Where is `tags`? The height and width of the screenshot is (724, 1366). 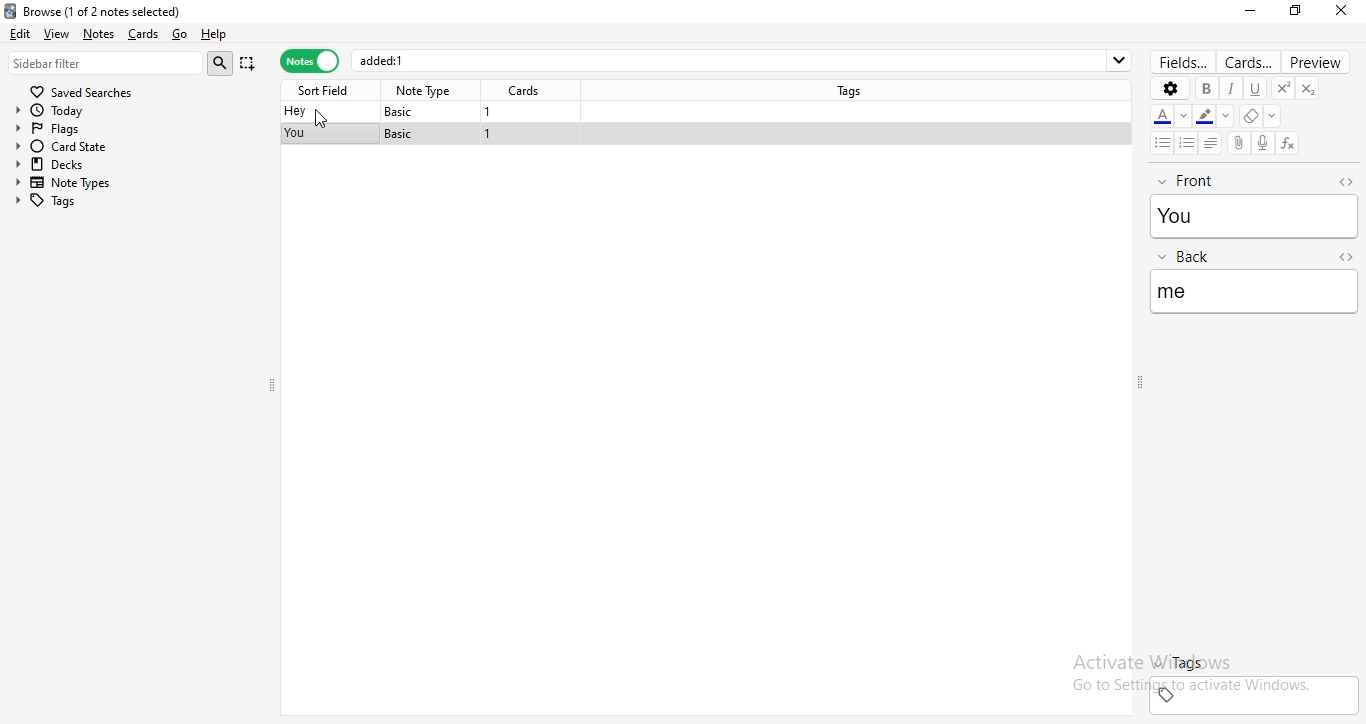
tags is located at coordinates (65, 200).